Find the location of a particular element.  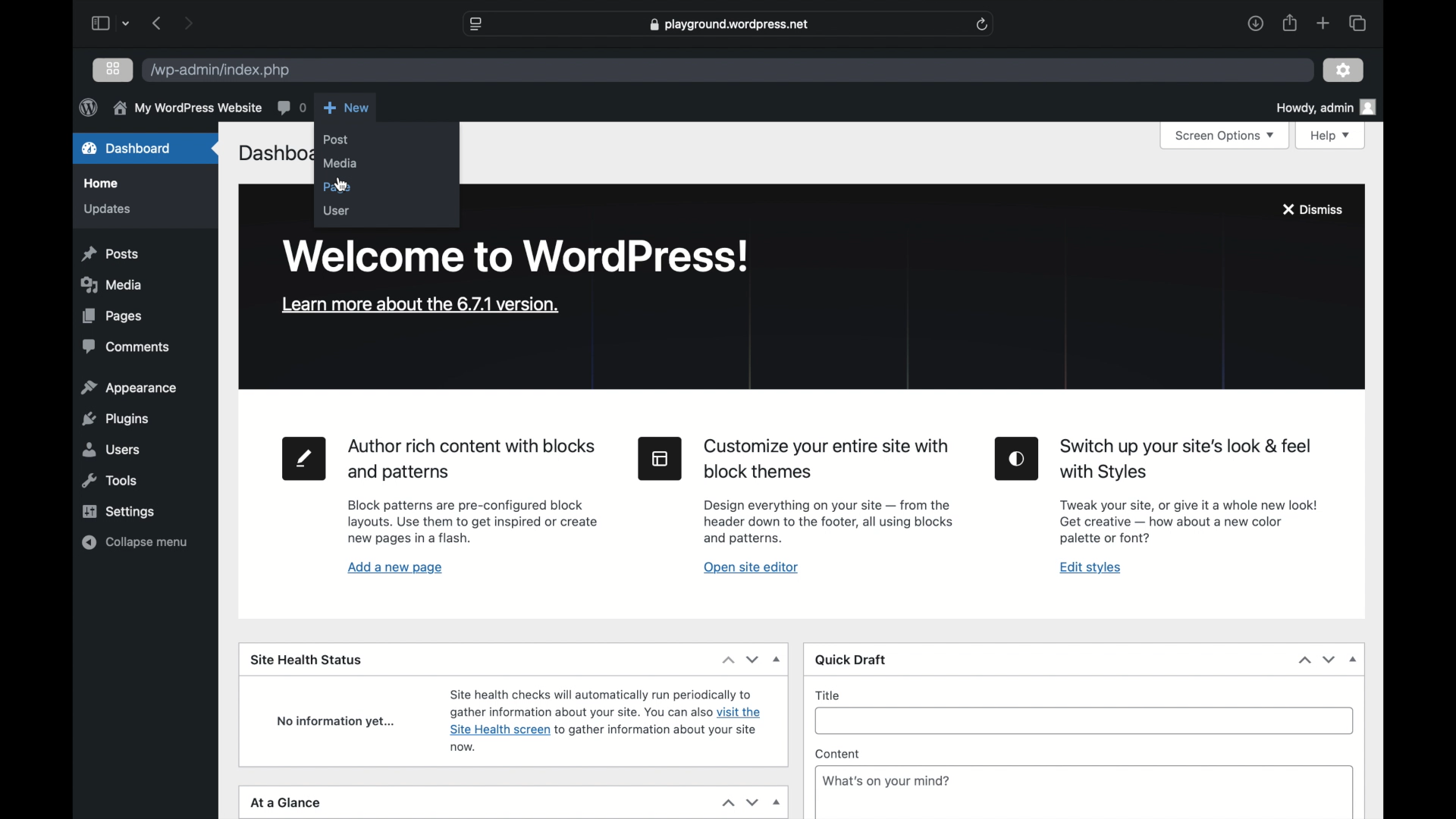

wordpress address is located at coordinates (219, 71).